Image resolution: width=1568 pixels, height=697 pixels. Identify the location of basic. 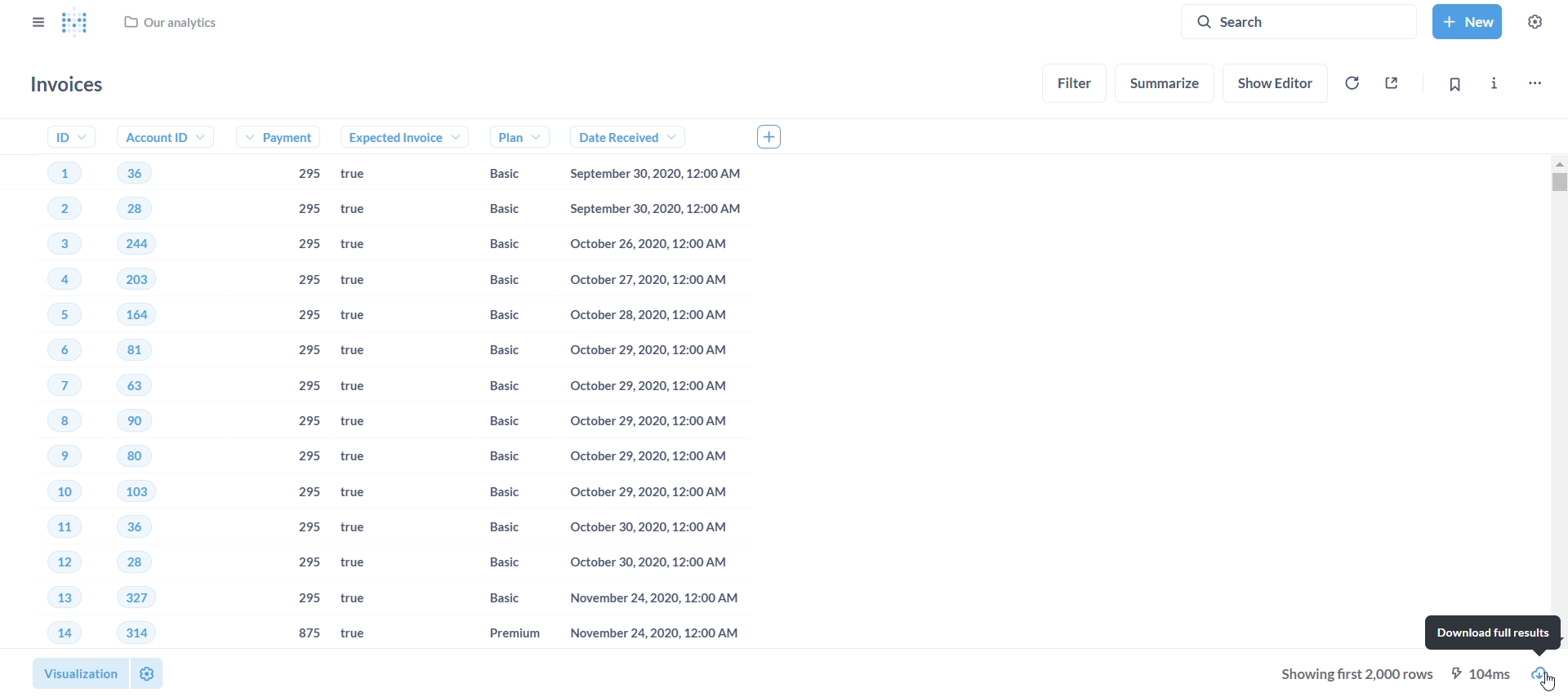
(491, 598).